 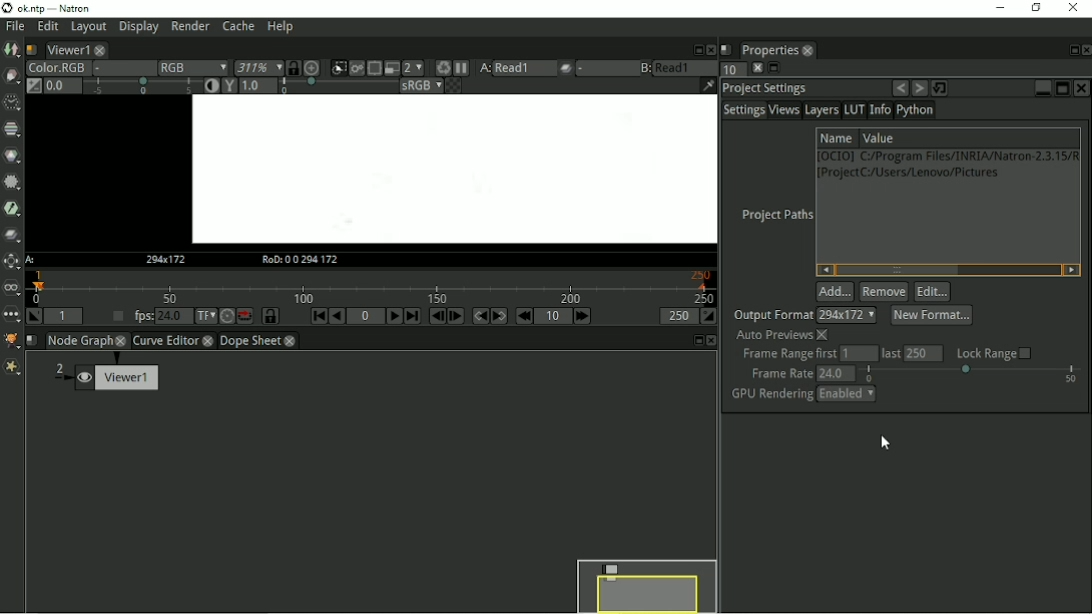 What do you see at coordinates (12, 261) in the screenshot?
I see `Transform` at bounding box center [12, 261].